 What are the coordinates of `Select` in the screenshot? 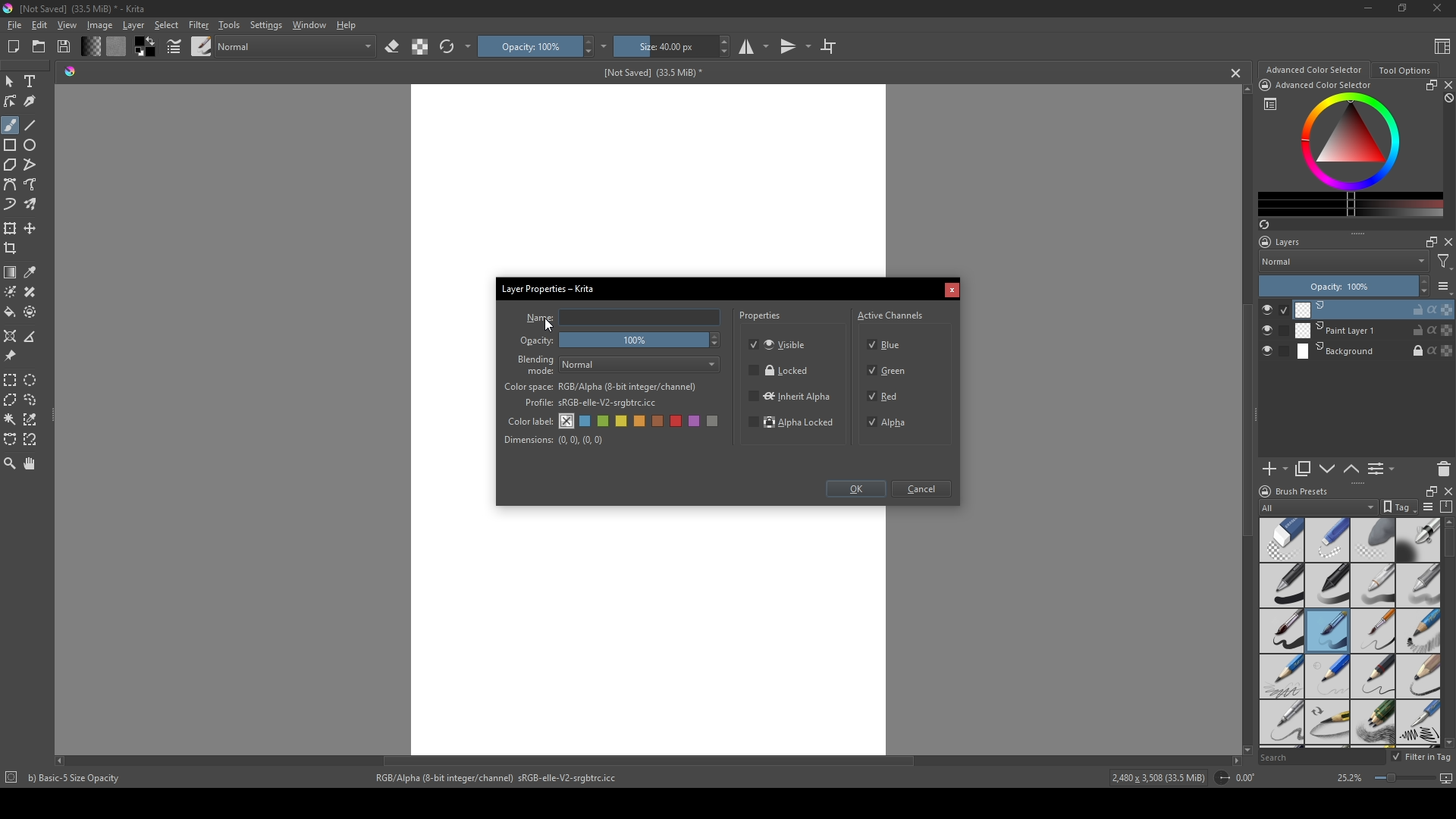 It's located at (167, 25).